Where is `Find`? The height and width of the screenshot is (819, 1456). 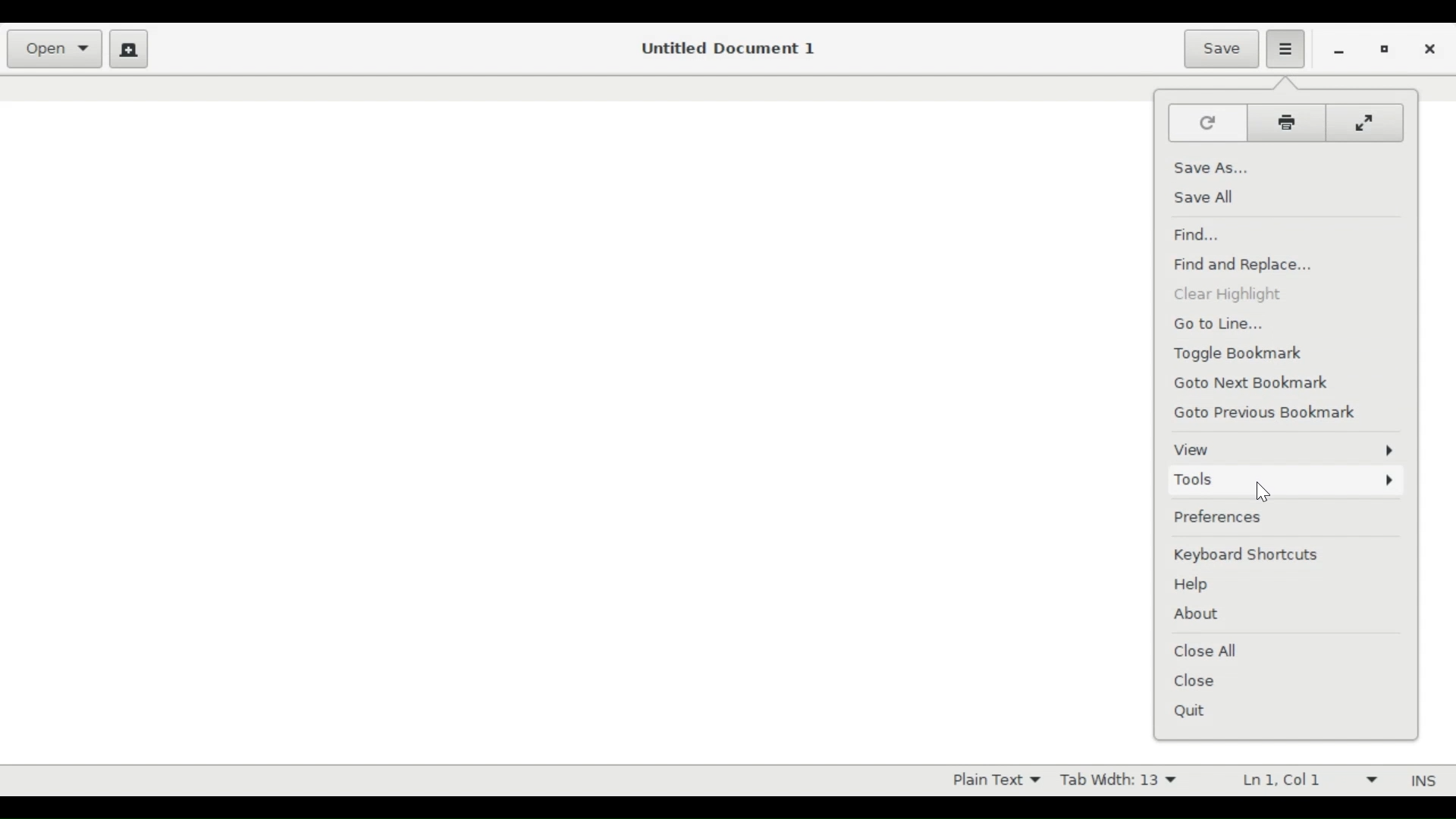
Find is located at coordinates (1196, 233).